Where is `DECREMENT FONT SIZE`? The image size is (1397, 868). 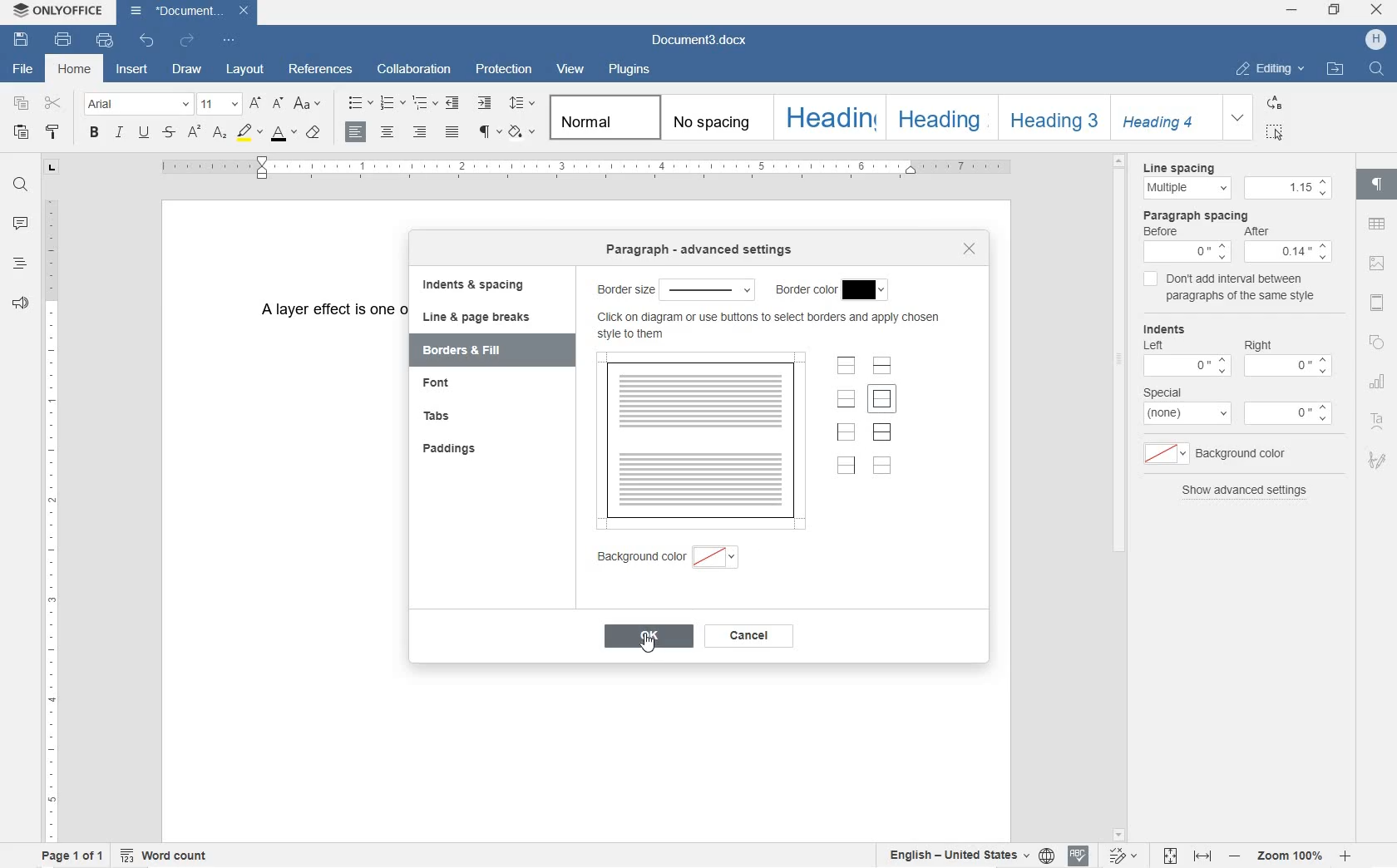 DECREMENT FONT SIZE is located at coordinates (276, 105).